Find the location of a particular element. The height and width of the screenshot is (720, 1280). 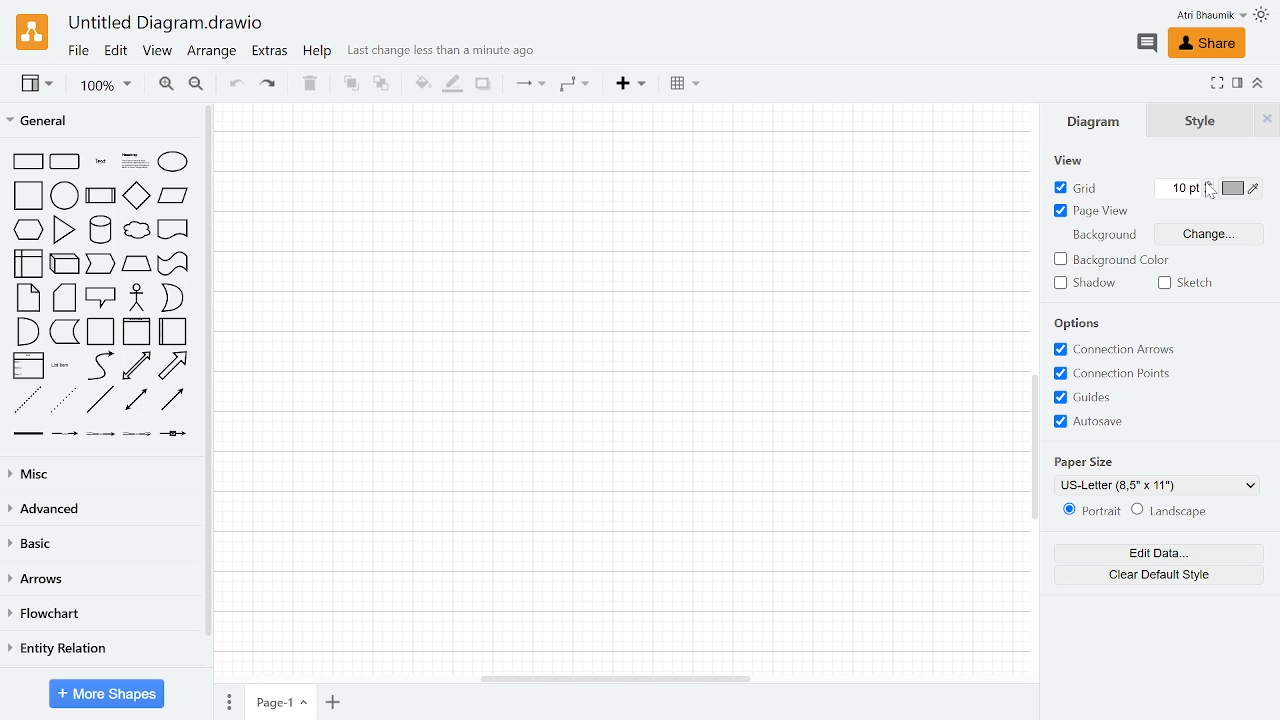

Format is located at coordinates (1238, 83).